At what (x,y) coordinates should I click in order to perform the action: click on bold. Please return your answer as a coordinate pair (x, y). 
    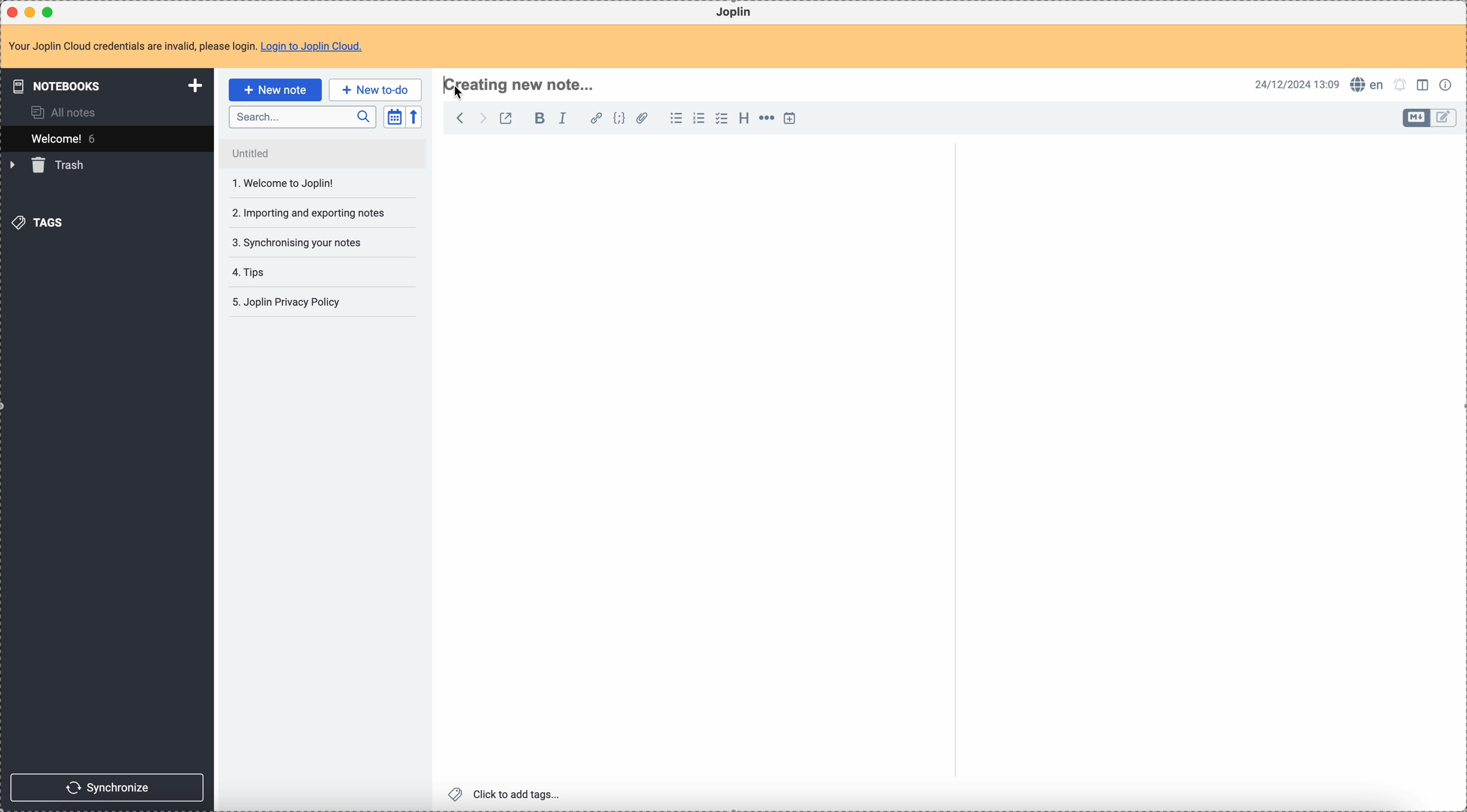
    Looking at the image, I should click on (536, 119).